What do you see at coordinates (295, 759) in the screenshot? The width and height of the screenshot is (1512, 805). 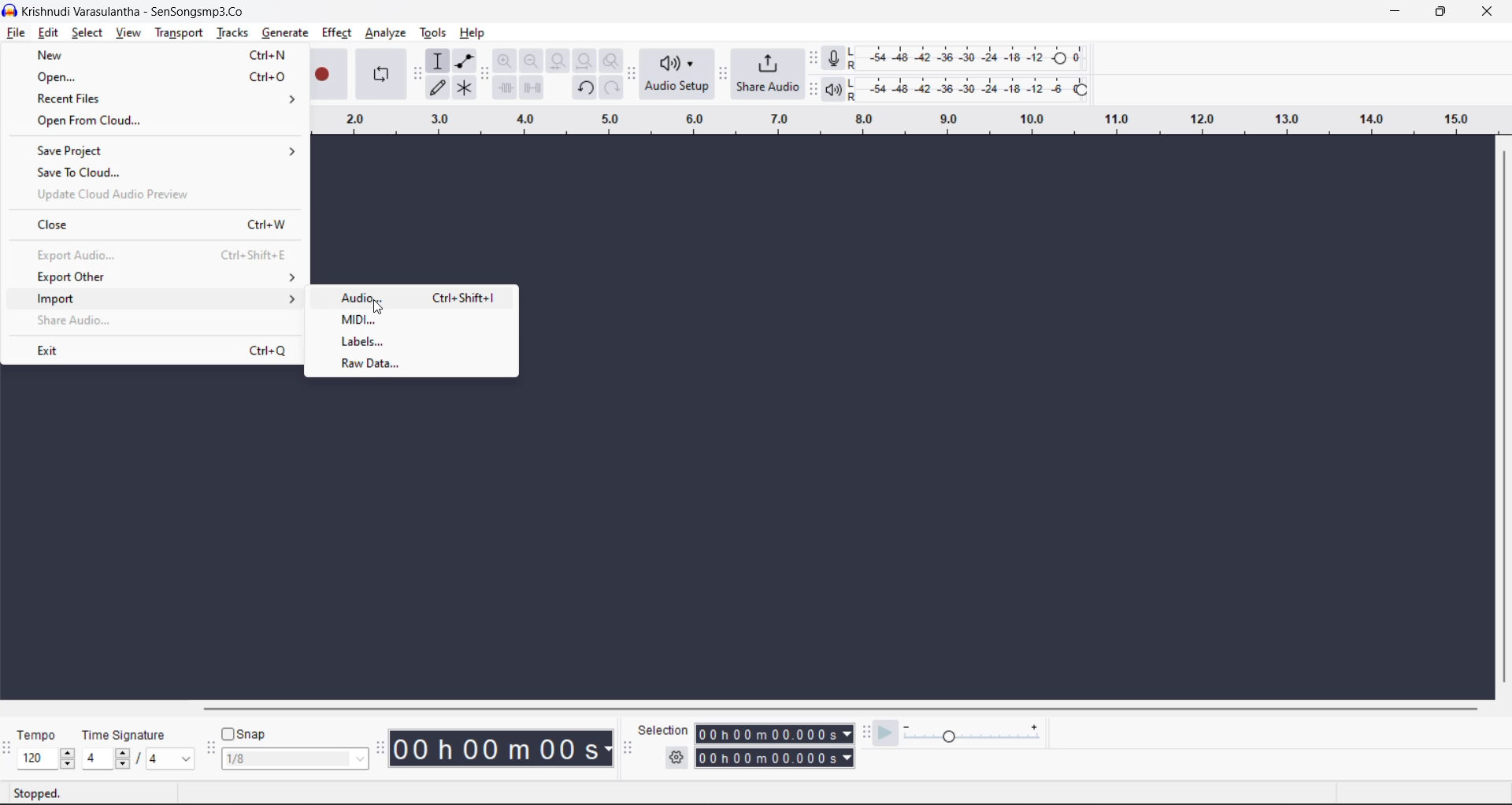 I see `snap frame` at bounding box center [295, 759].